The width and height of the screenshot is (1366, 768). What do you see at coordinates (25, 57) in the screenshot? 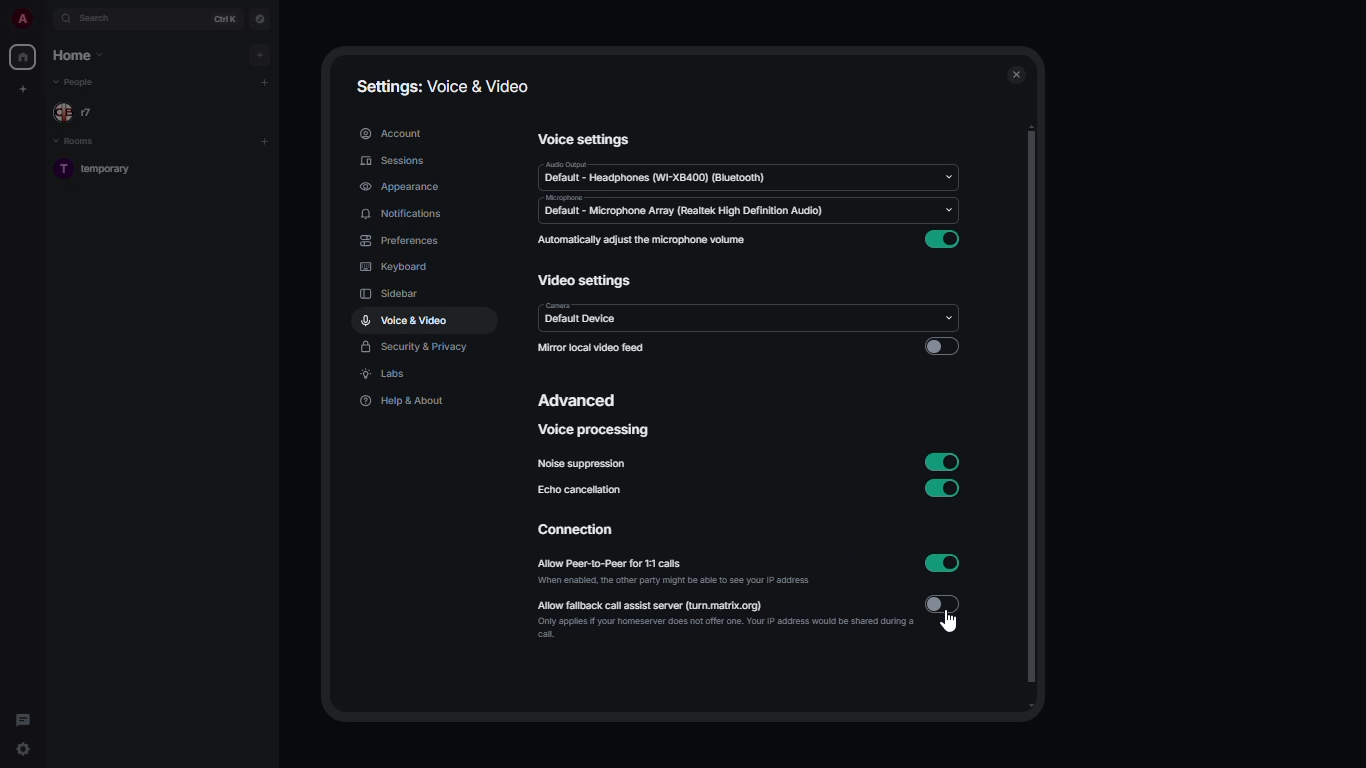
I see `home` at bounding box center [25, 57].